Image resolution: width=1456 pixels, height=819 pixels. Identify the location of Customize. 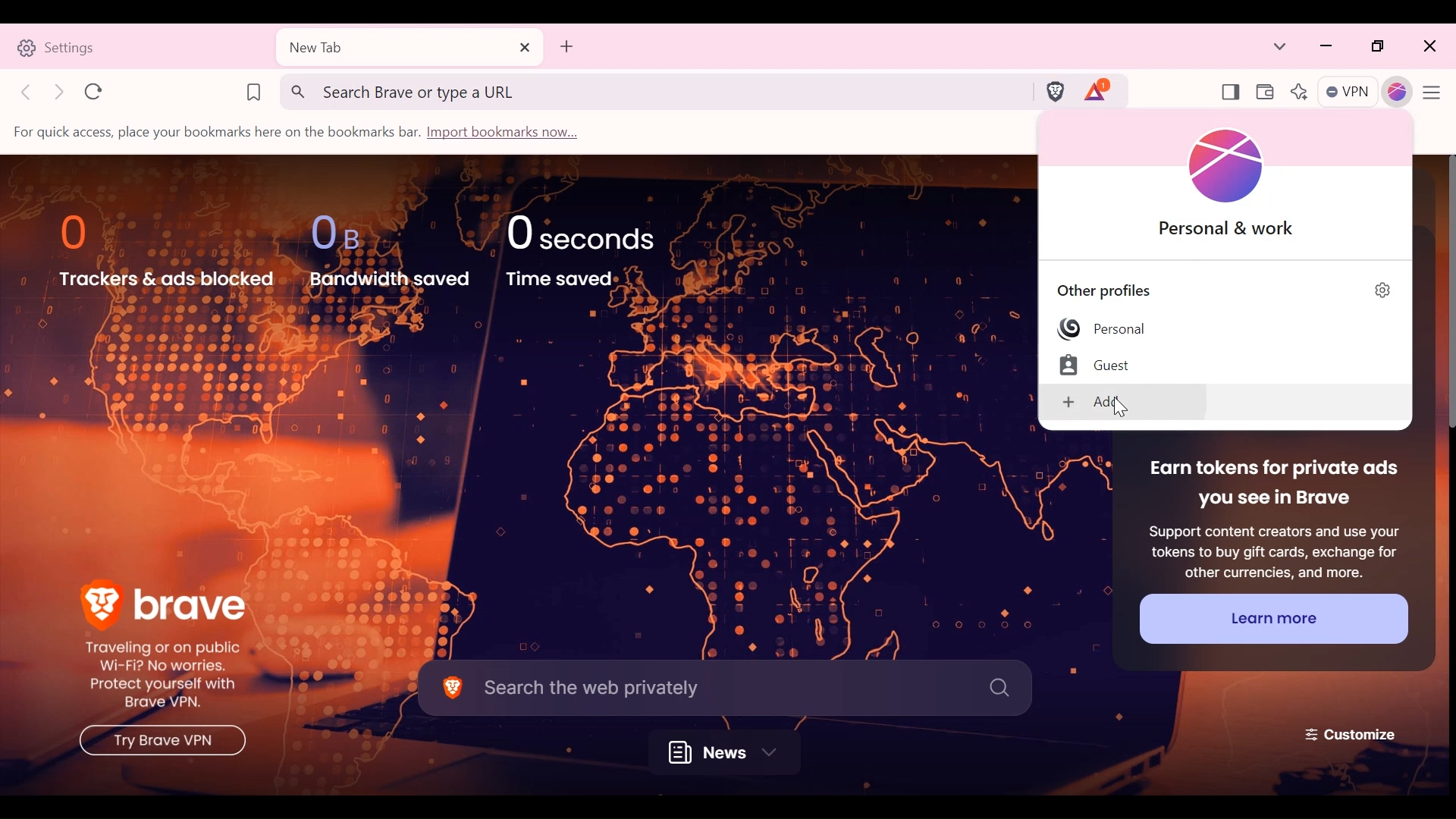
(1352, 733).